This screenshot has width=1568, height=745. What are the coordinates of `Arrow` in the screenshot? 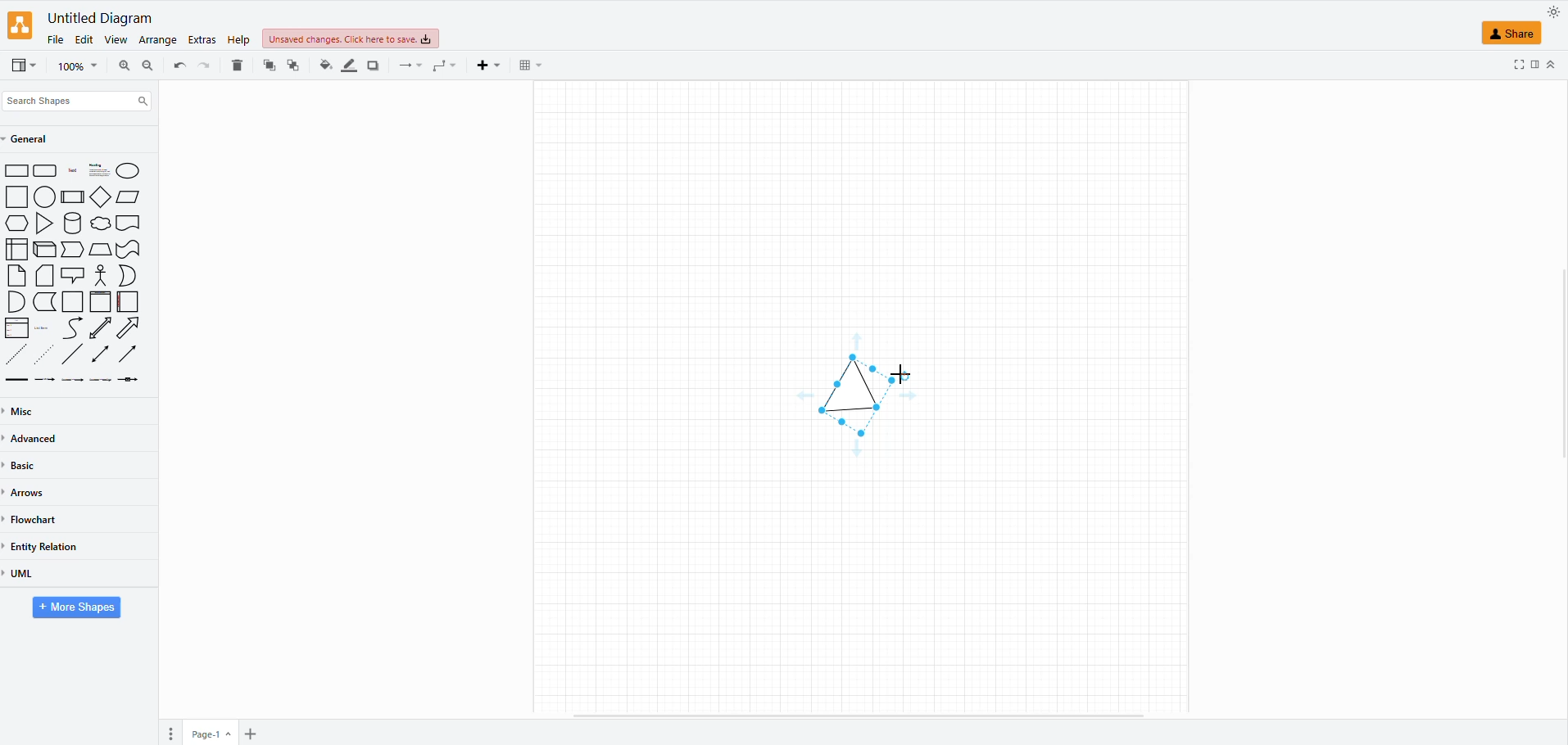 It's located at (128, 353).